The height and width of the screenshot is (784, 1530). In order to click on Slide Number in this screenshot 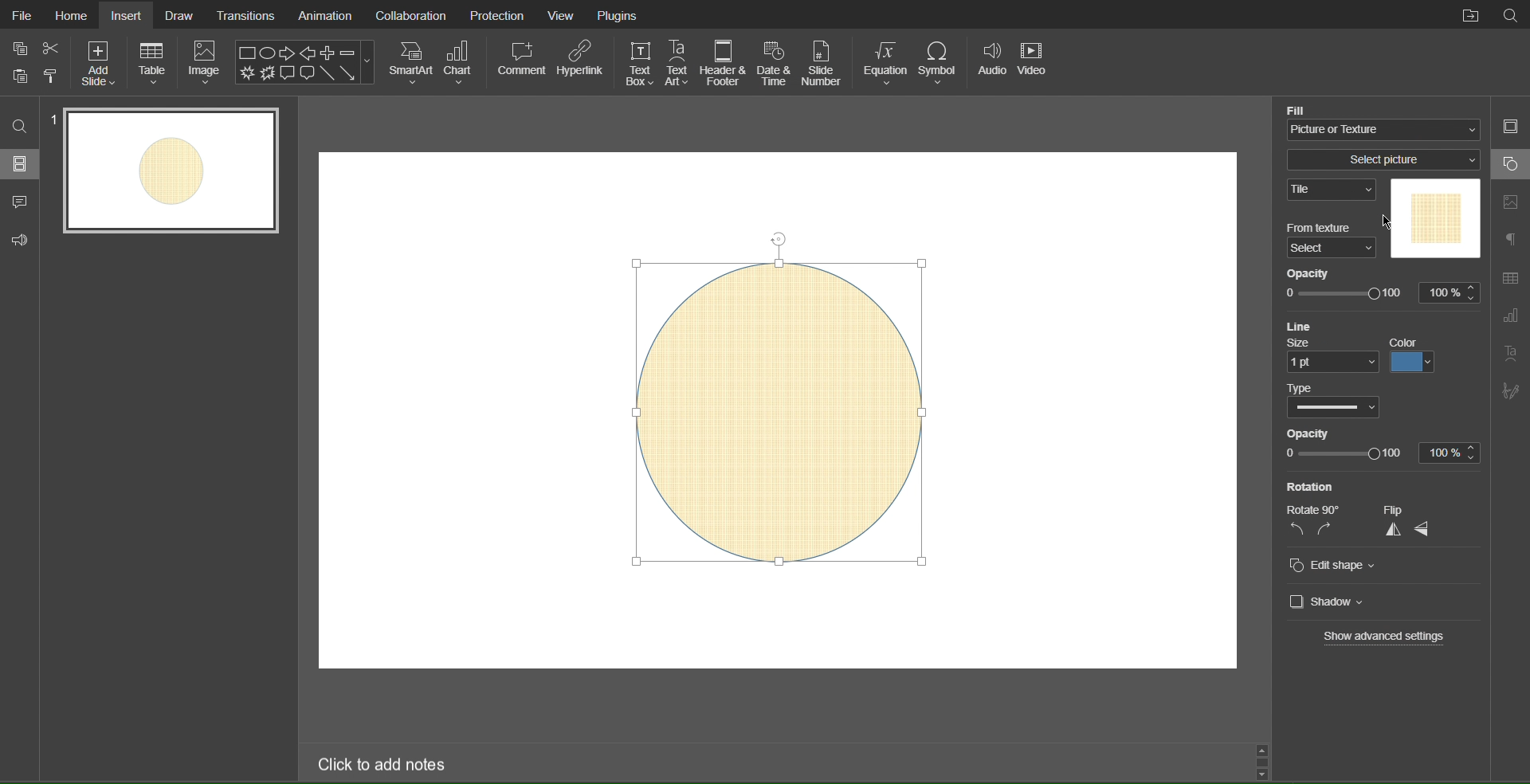, I will do `click(822, 63)`.